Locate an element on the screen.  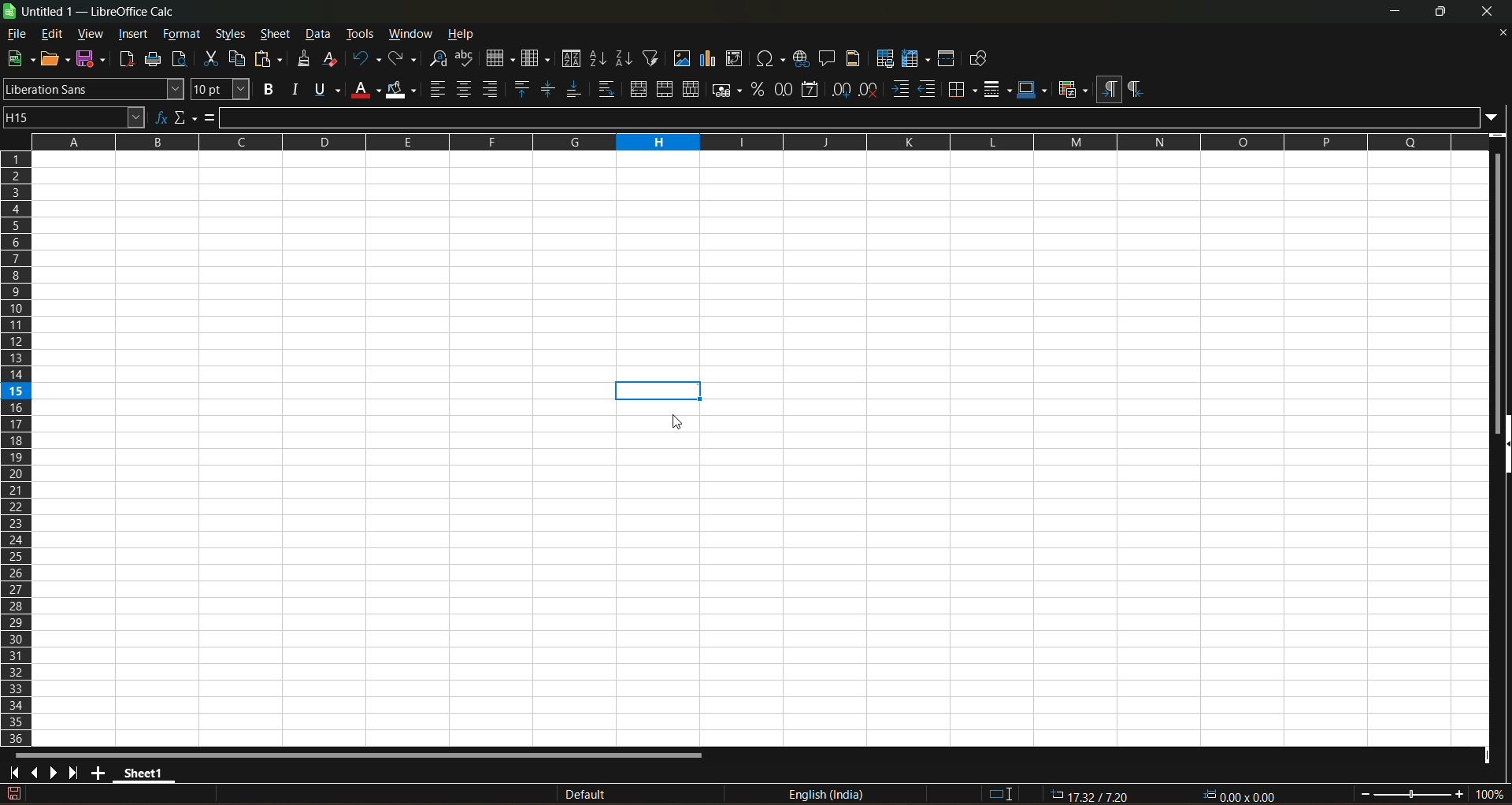
help is located at coordinates (462, 35).